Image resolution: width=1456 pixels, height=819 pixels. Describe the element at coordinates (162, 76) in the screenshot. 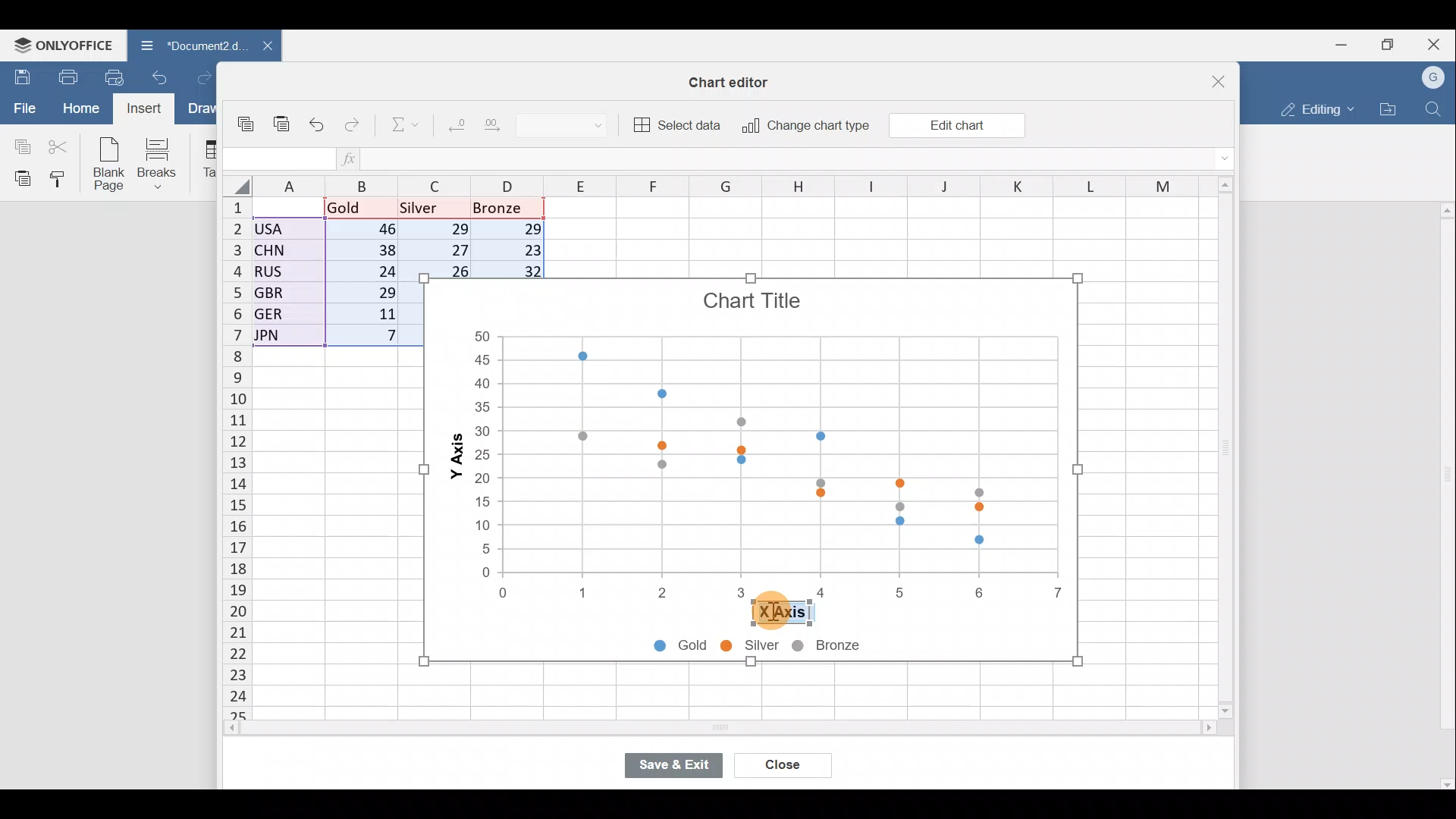

I see `Undo` at that location.